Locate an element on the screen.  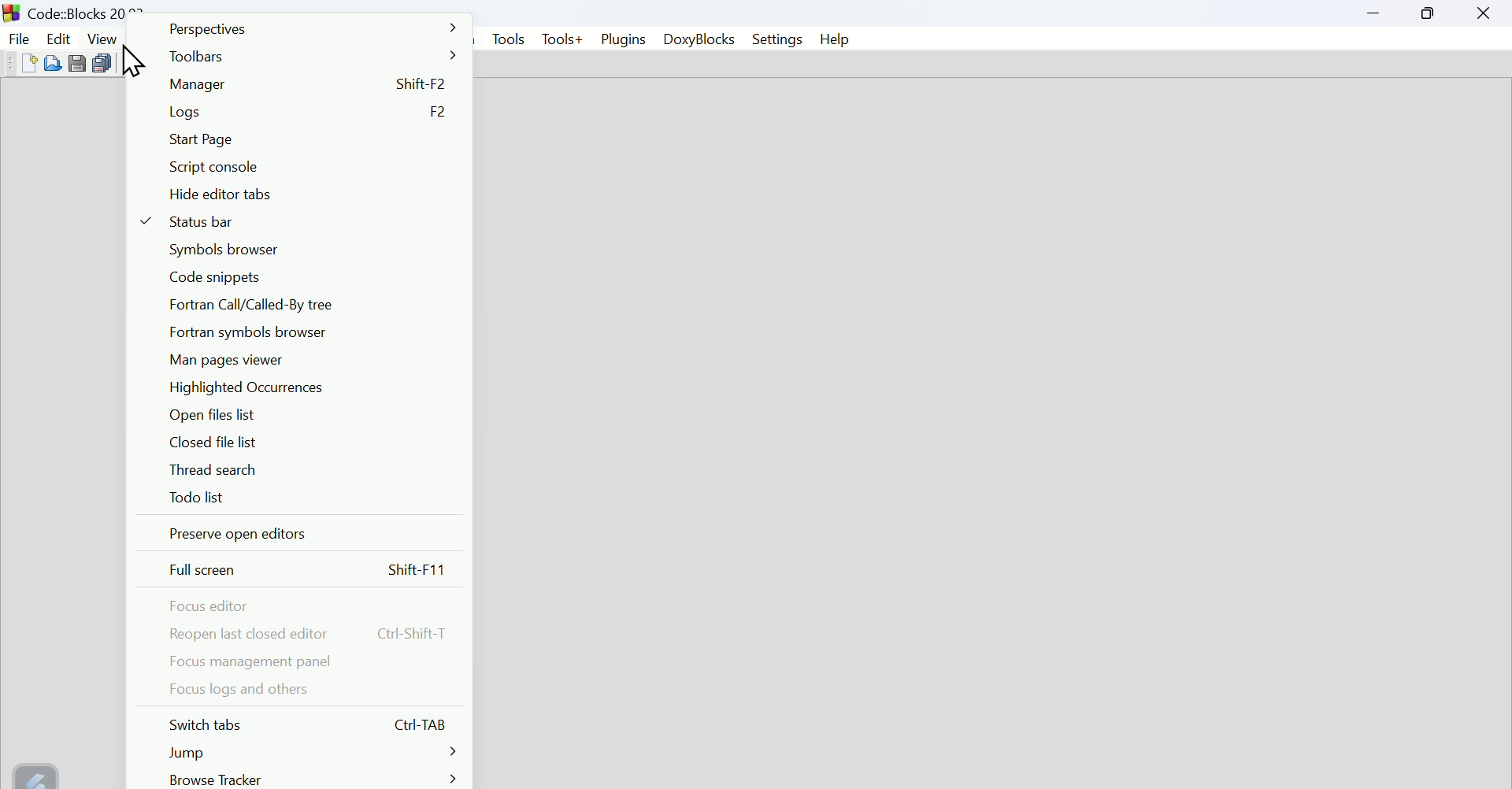
Create new file is located at coordinates (29, 63).